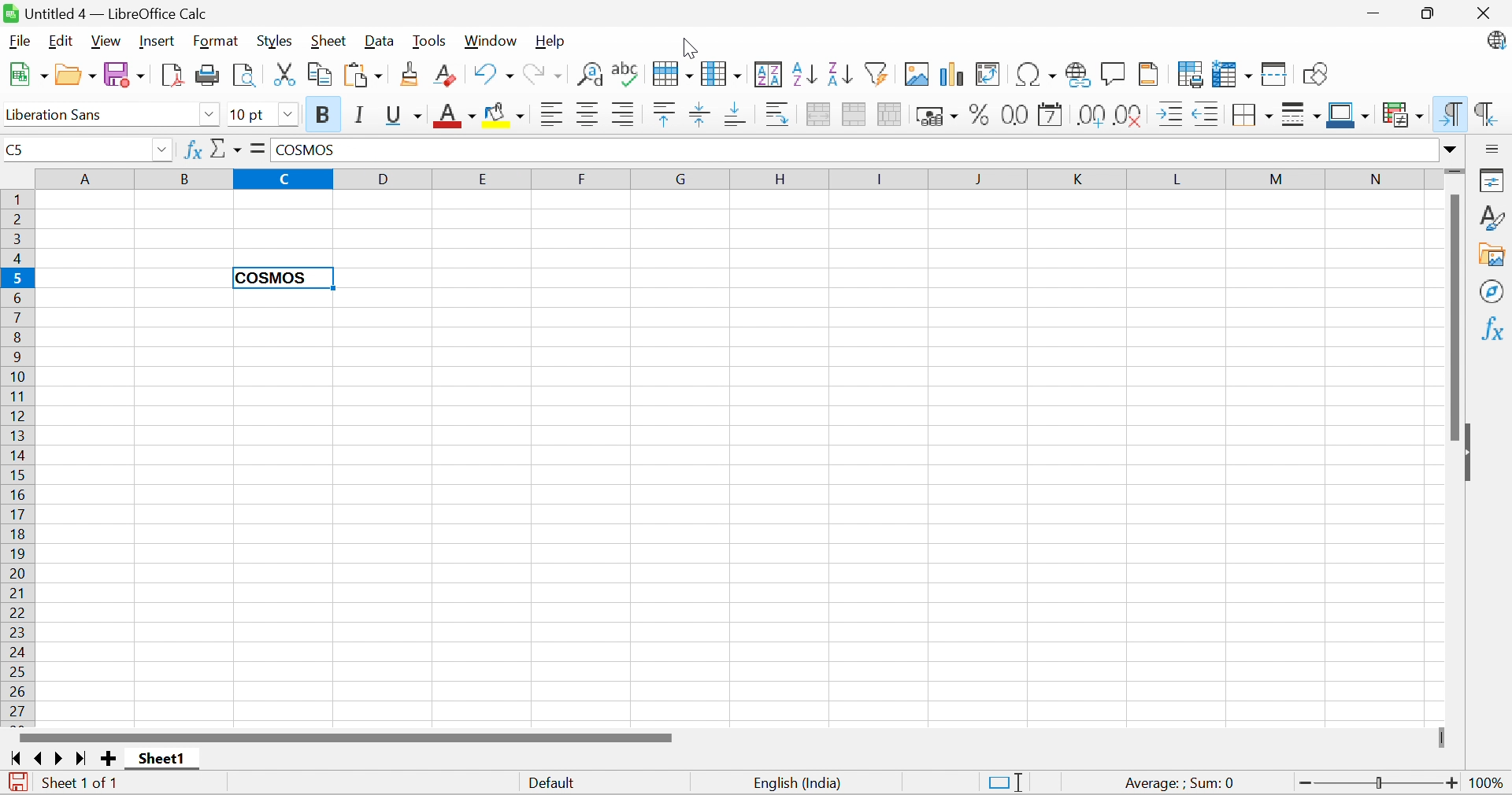 This screenshot has width=1512, height=795. I want to click on Zoom In, so click(1454, 782).